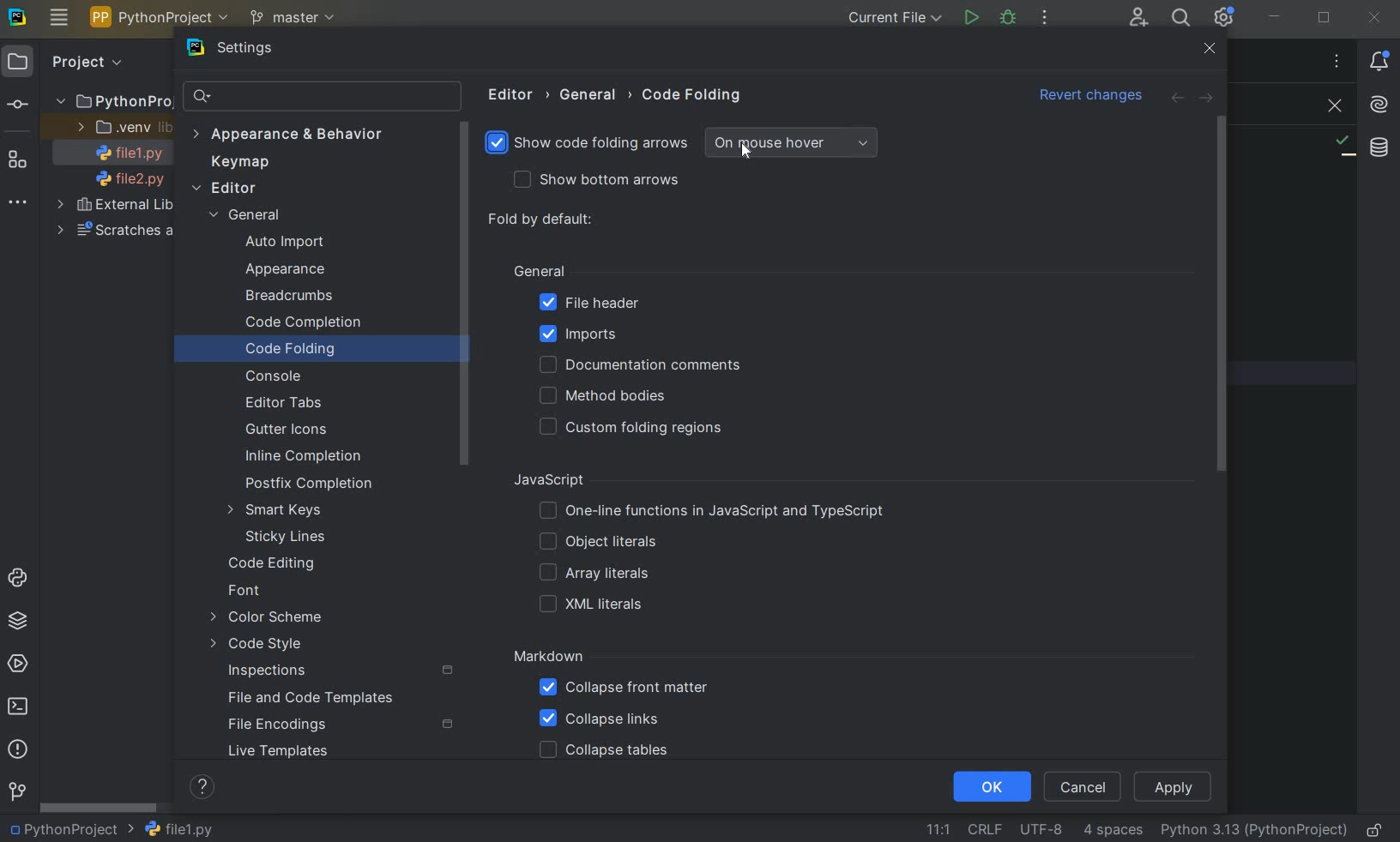  I want to click on REVERT CHANGES, so click(1092, 97).